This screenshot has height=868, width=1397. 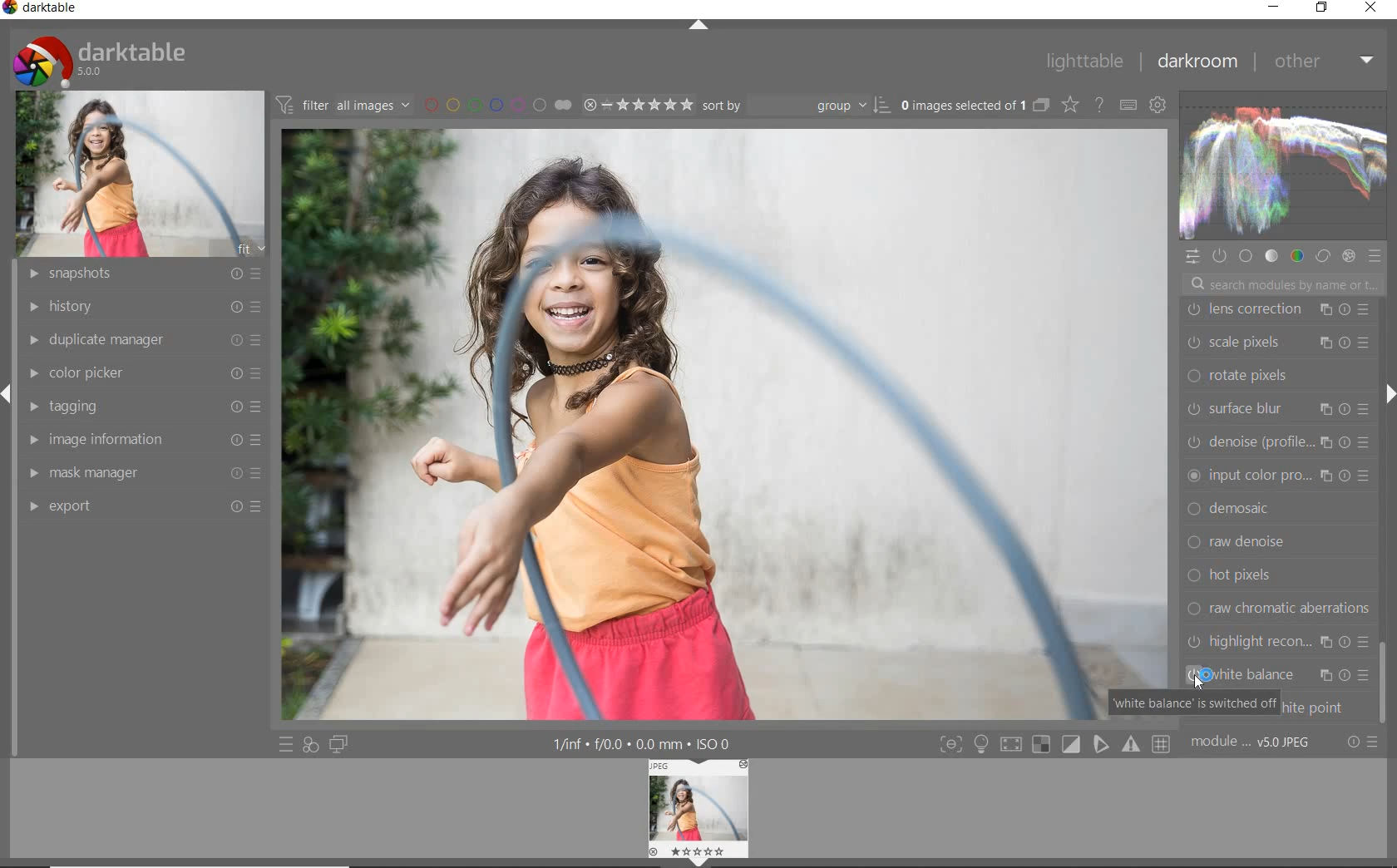 What do you see at coordinates (1195, 702) in the screenshot?
I see `'WHITE BALANCE' IS SWITCHED OFF` at bounding box center [1195, 702].